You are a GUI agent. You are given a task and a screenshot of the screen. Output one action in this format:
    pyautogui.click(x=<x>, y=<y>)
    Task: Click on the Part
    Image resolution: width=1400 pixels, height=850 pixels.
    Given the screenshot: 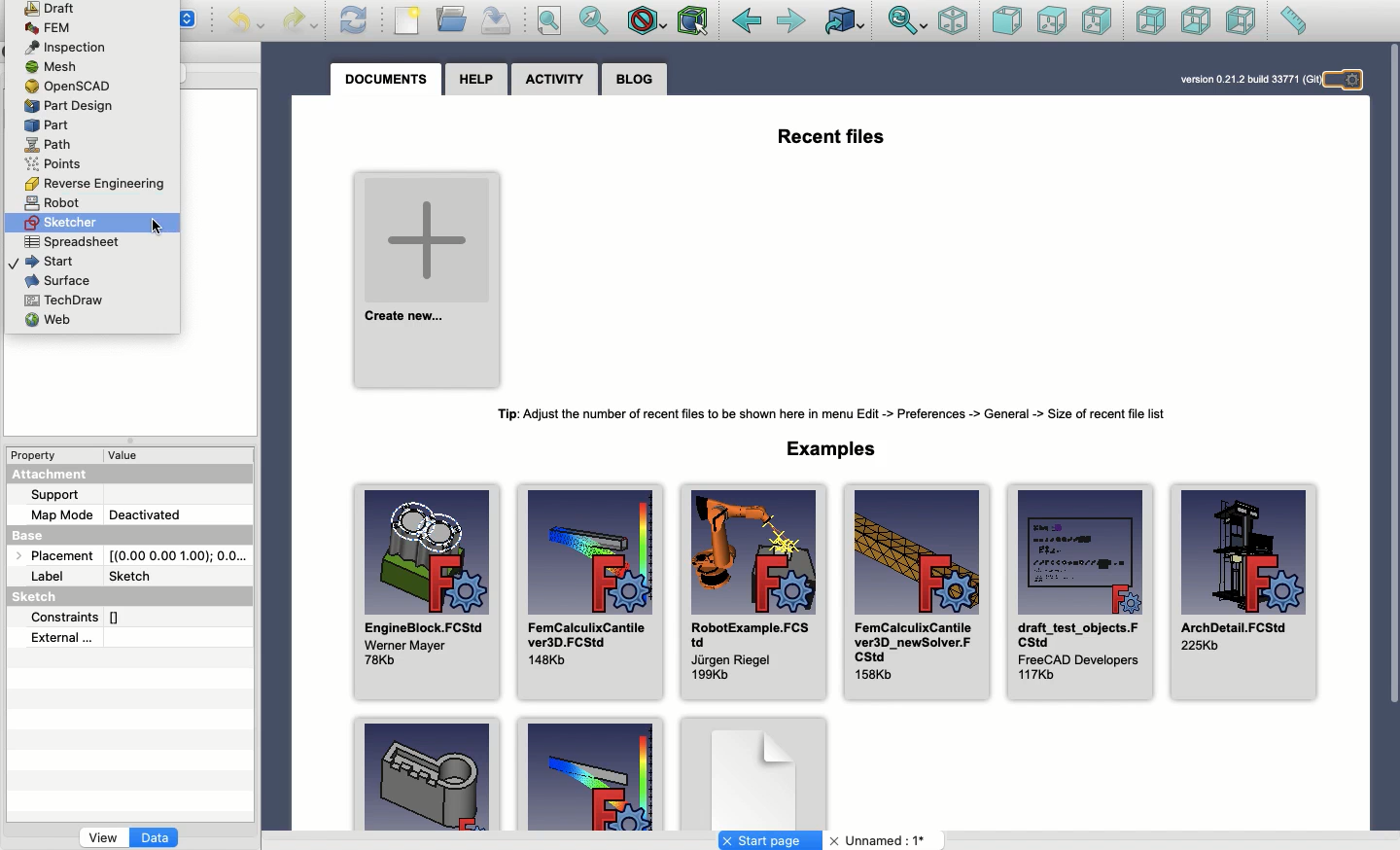 What is the action you would take?
    pyautogui.click(x=48, y=125)
    